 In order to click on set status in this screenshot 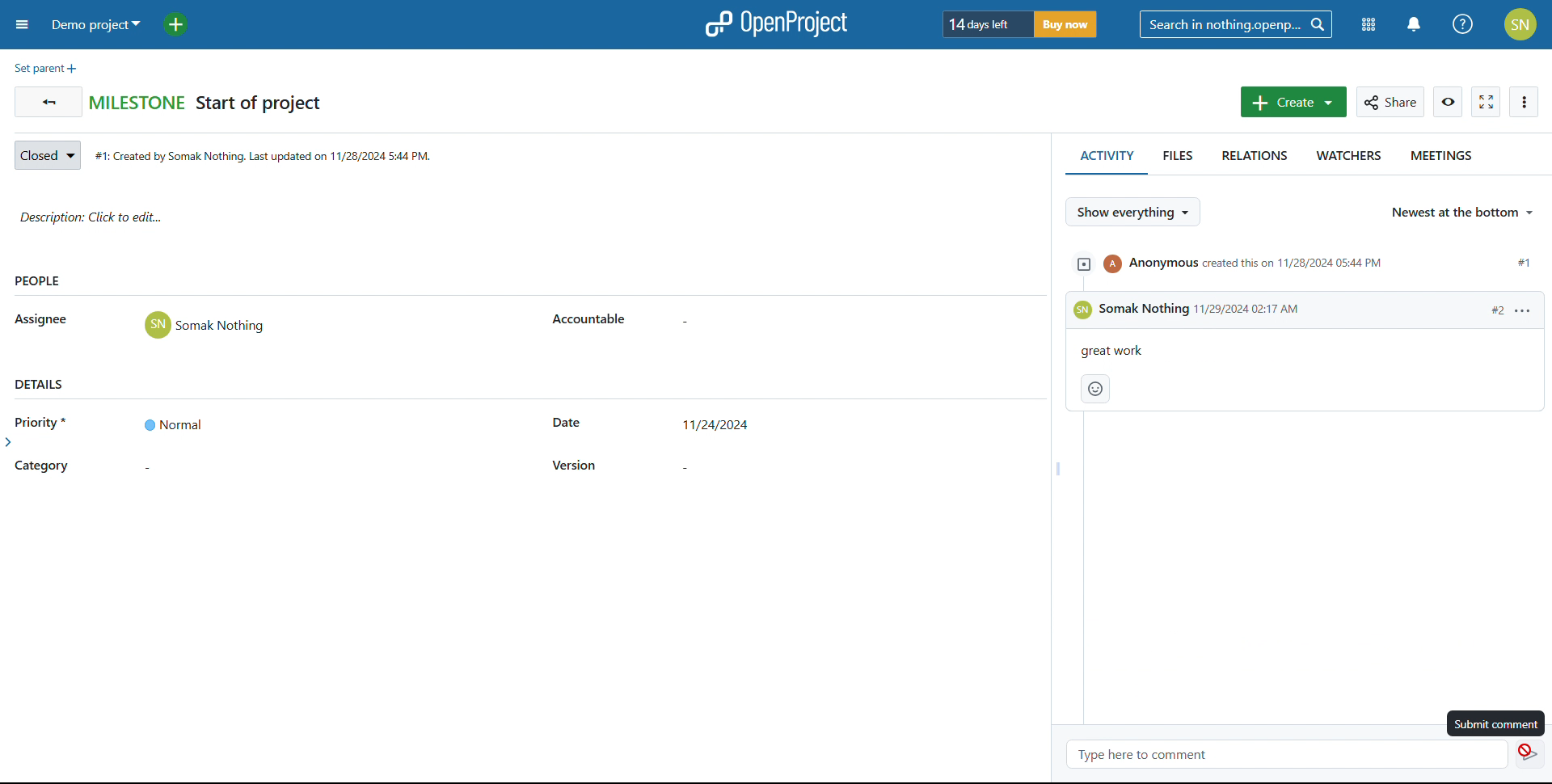, I will do `click(47, 156)`.